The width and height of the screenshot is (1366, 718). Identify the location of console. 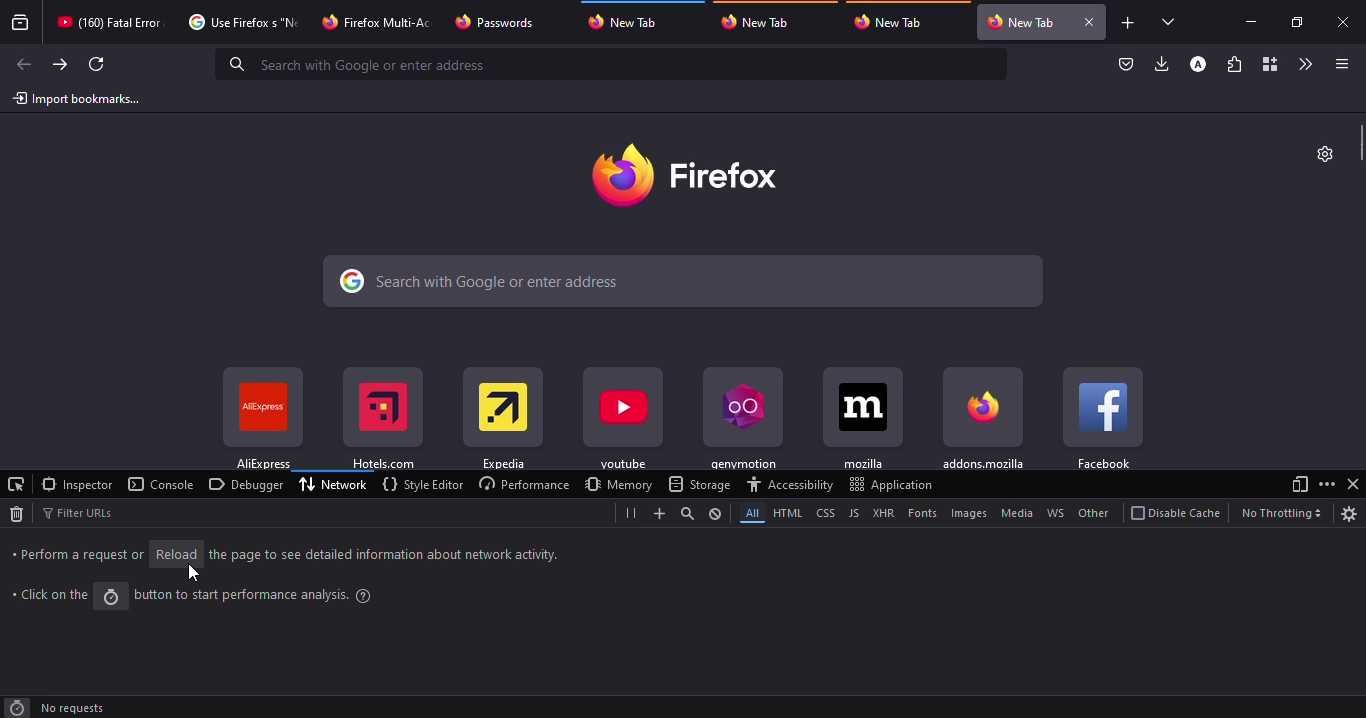
(162, 484).